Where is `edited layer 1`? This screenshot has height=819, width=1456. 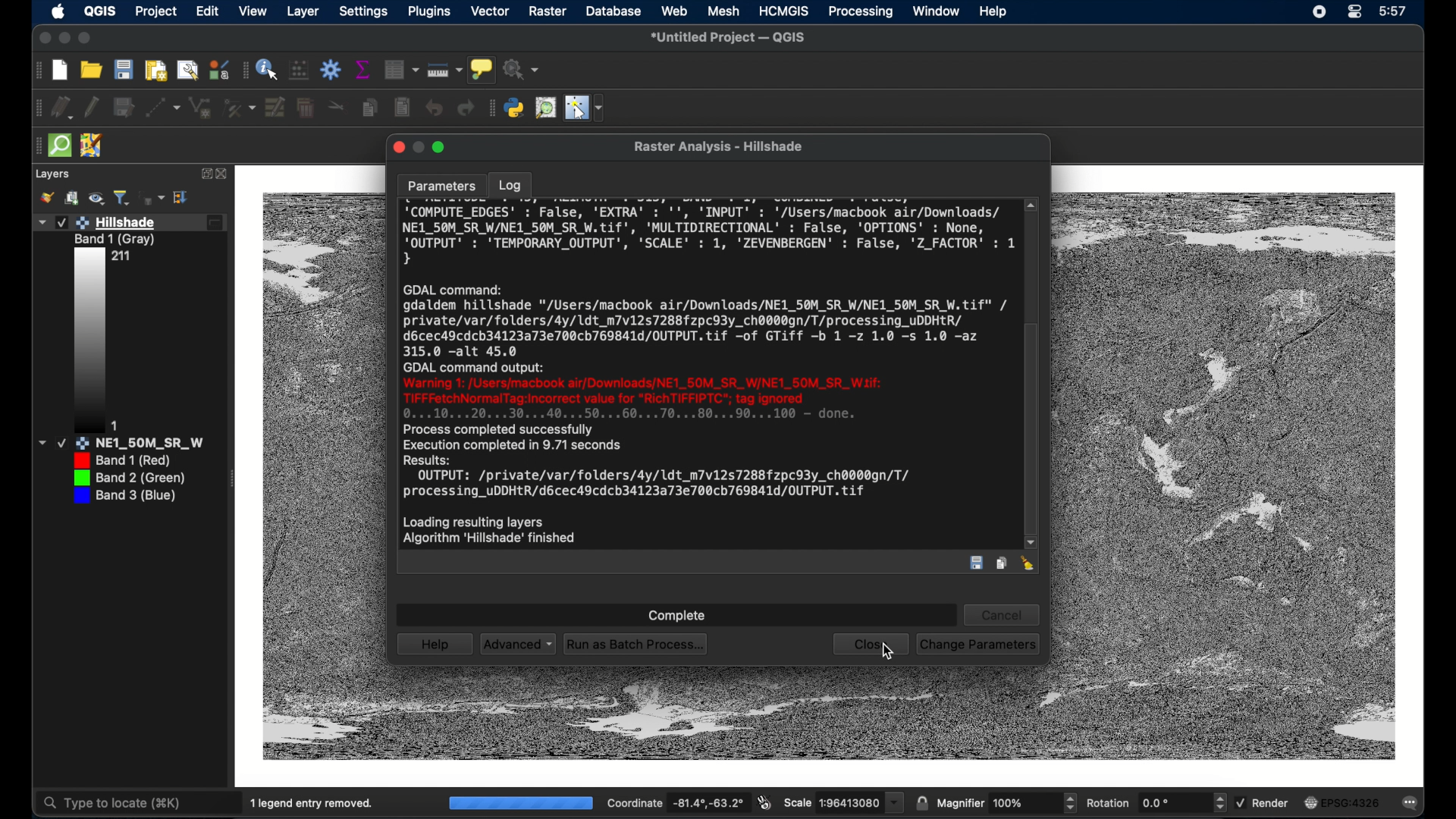 edited layer 1 is located at coordinates (88, 340).